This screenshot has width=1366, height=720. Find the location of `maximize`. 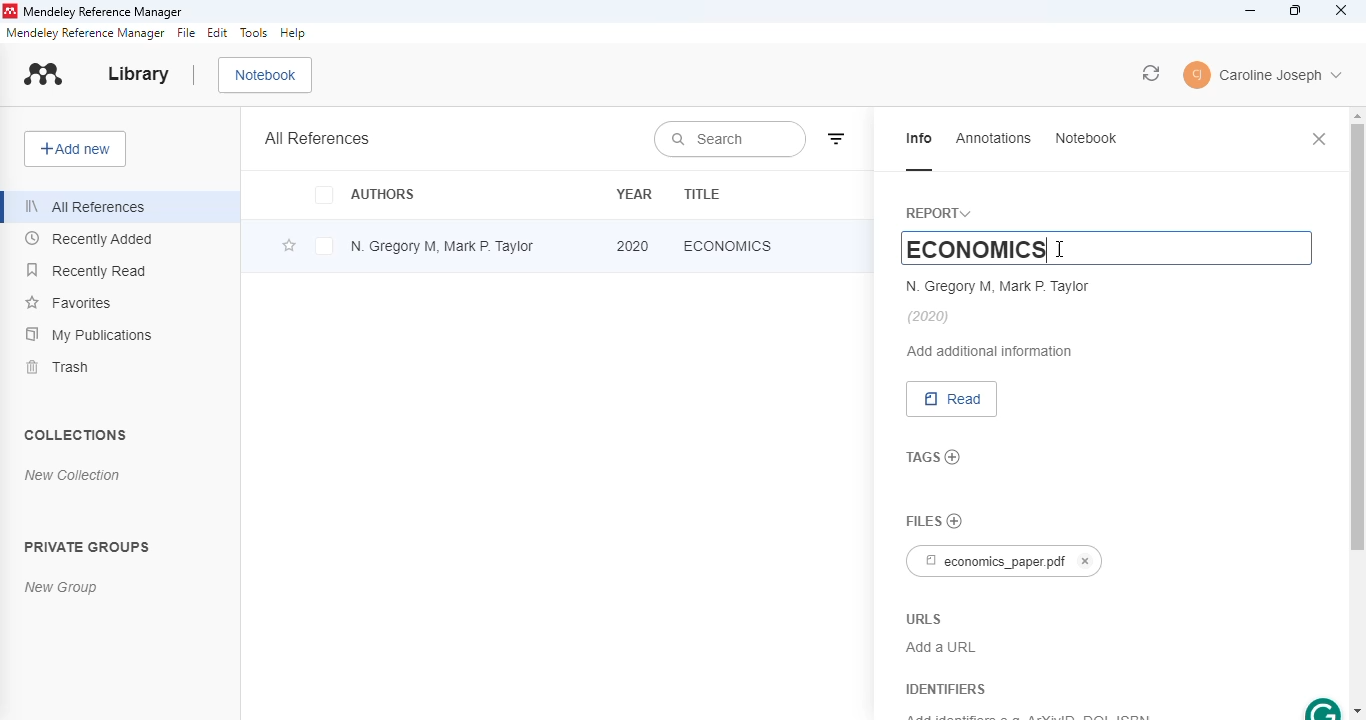

maximize is located at coordinates (1295, 11).